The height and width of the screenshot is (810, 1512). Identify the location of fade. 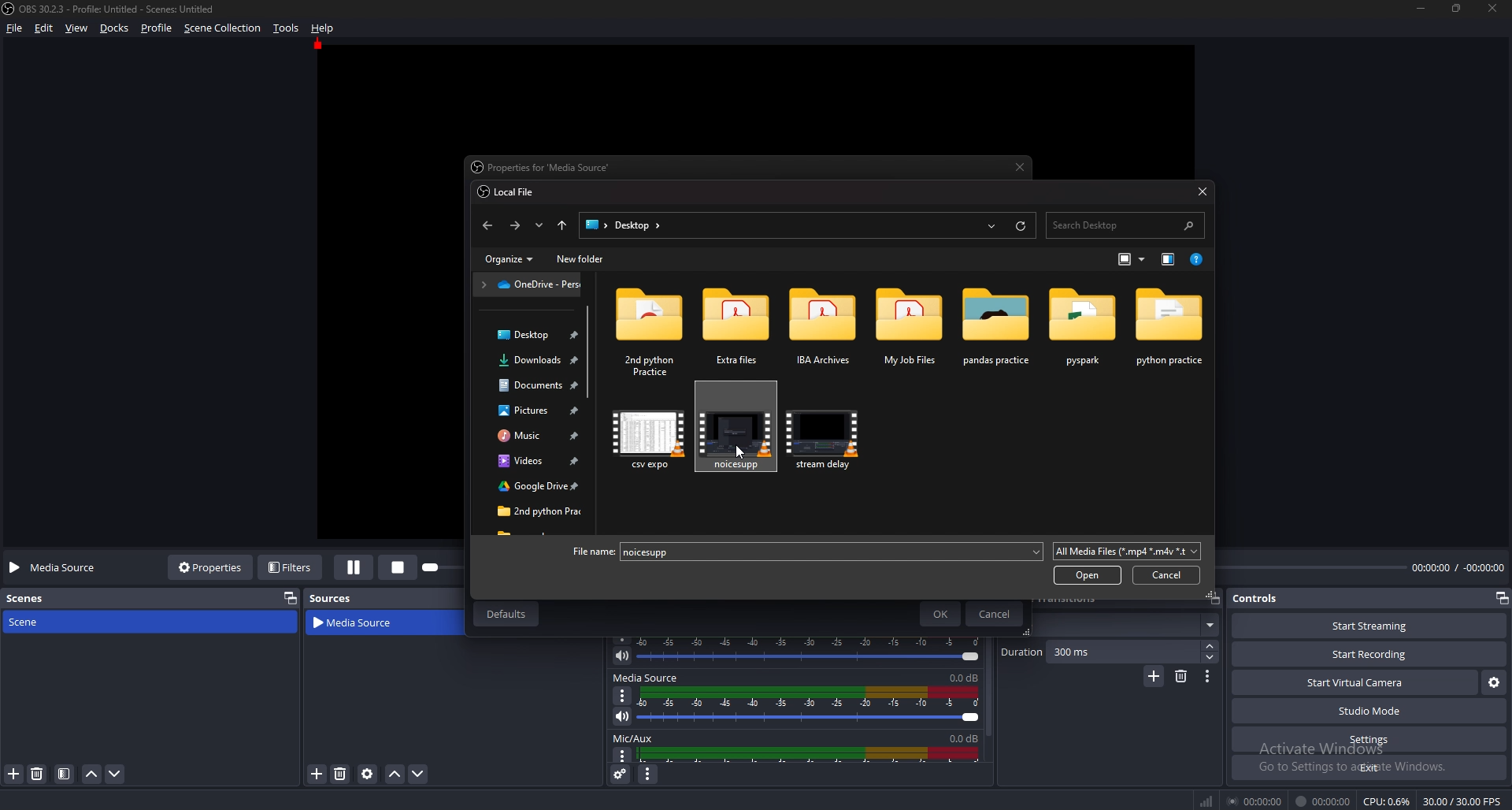
(1125, 626).